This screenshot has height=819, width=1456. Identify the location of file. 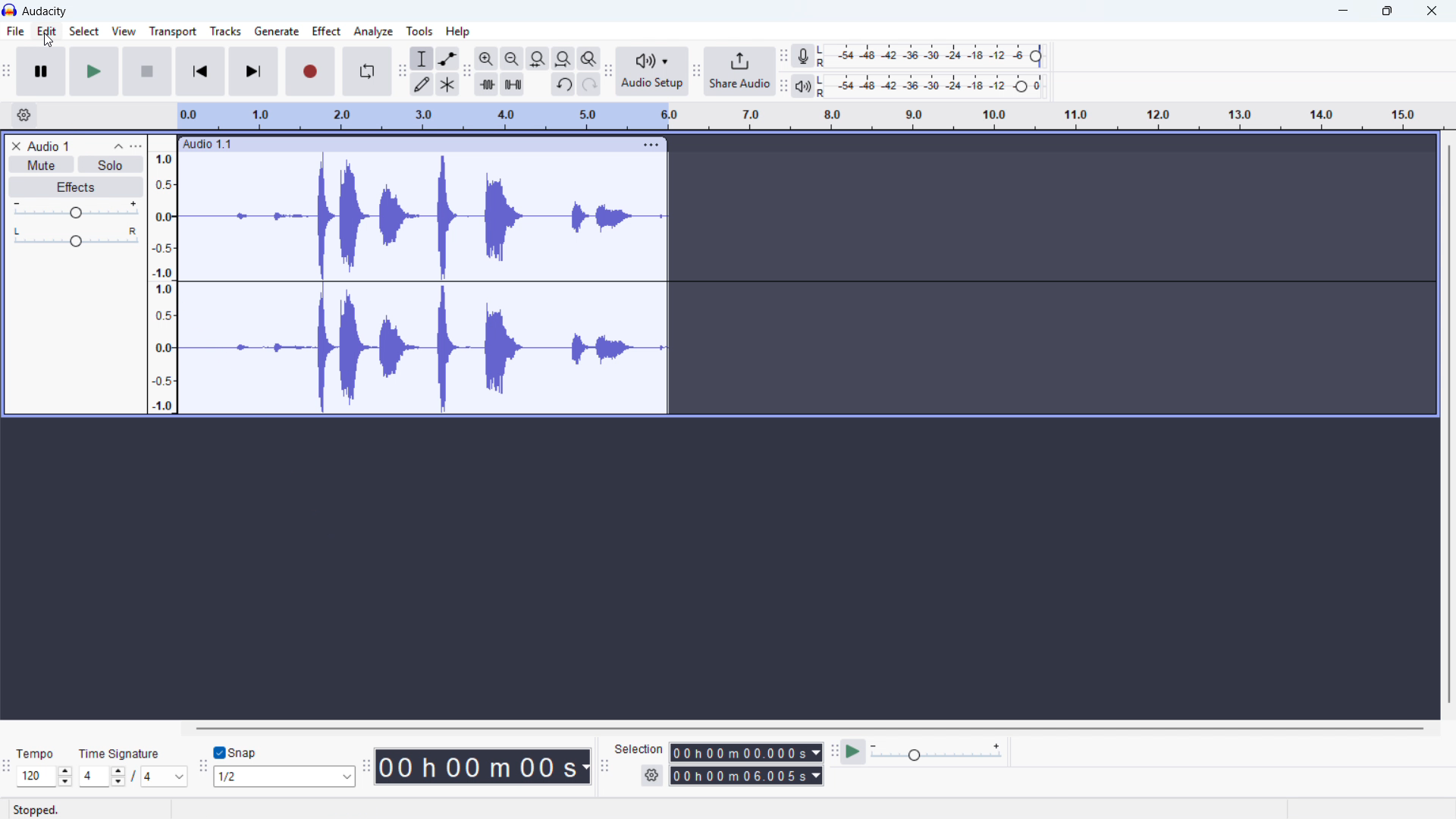
(17, 32).